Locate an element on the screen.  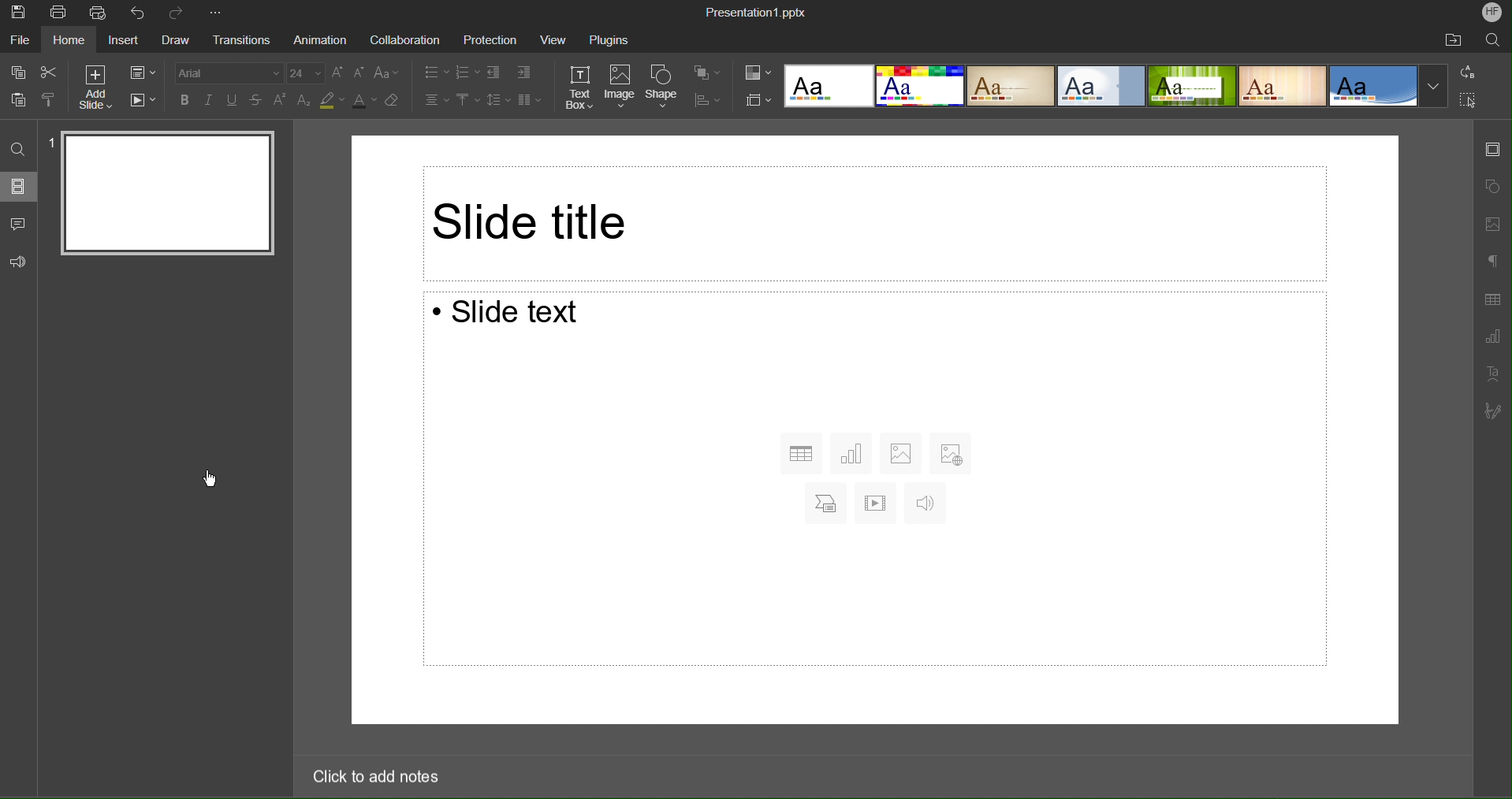
Transition is located at coordinates (237, 41).